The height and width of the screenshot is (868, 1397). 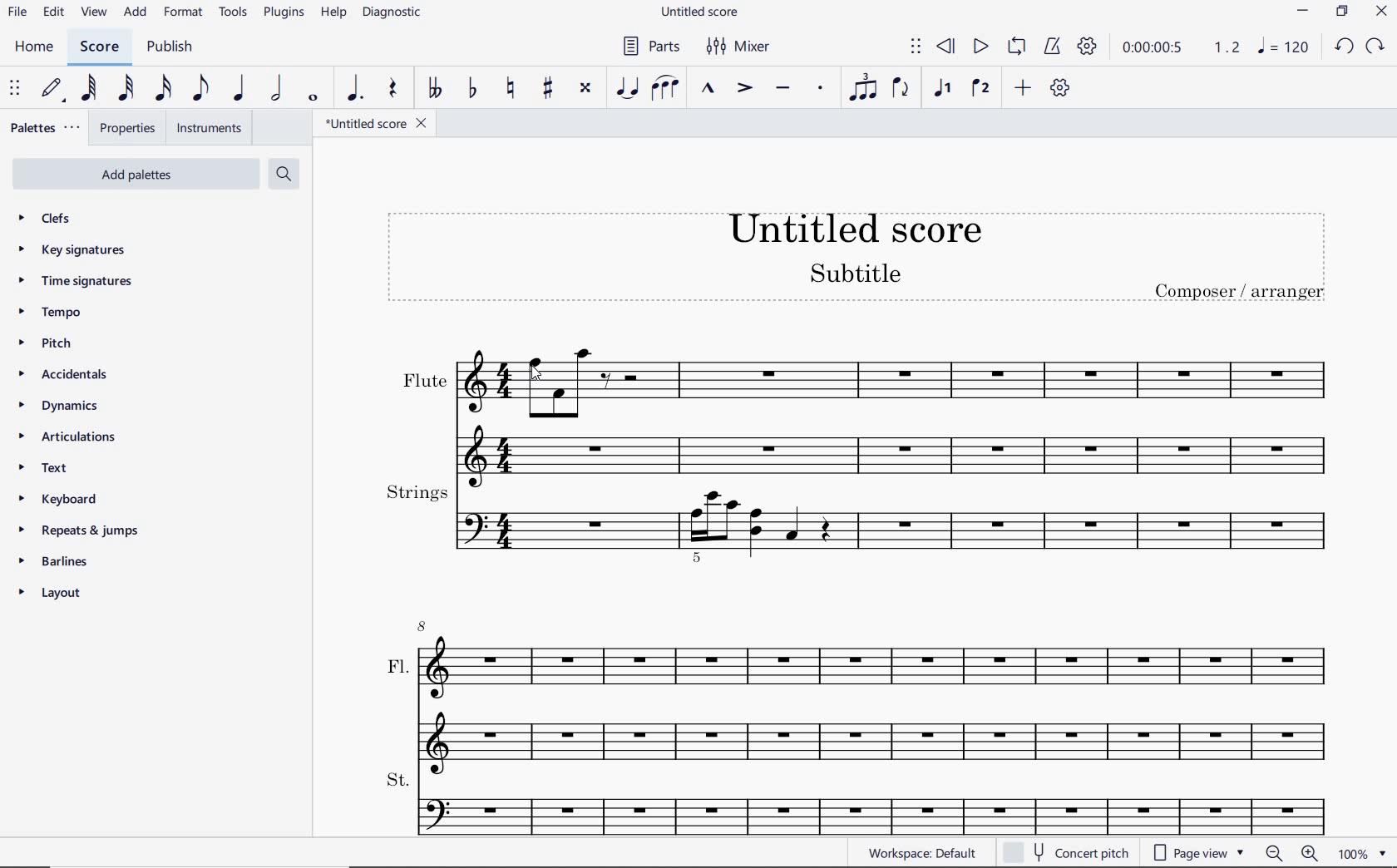 I want to click on TIE, so click(x=626, y=86).